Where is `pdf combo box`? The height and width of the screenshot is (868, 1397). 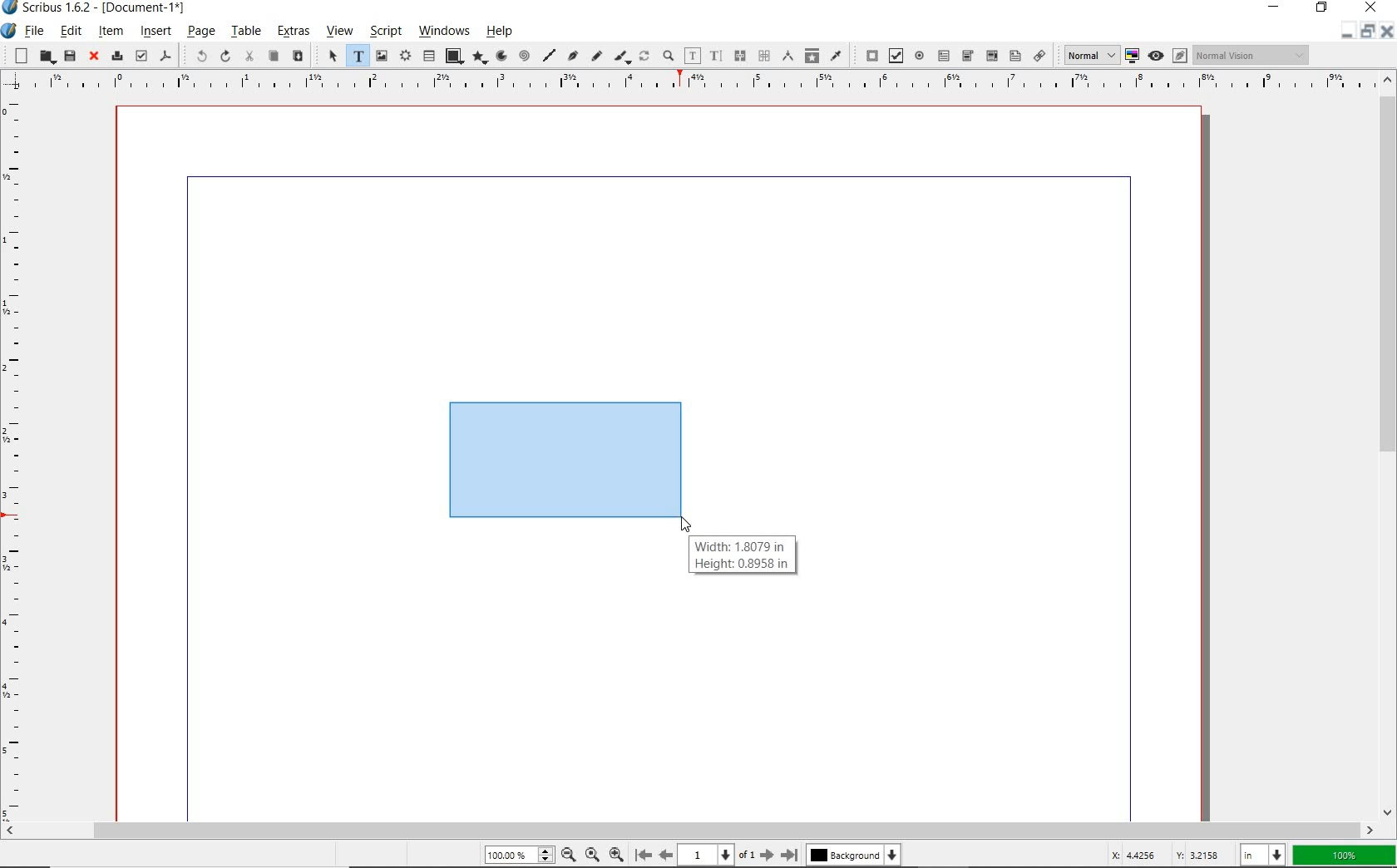 pdf combo box is located at coordinates (967, 57).